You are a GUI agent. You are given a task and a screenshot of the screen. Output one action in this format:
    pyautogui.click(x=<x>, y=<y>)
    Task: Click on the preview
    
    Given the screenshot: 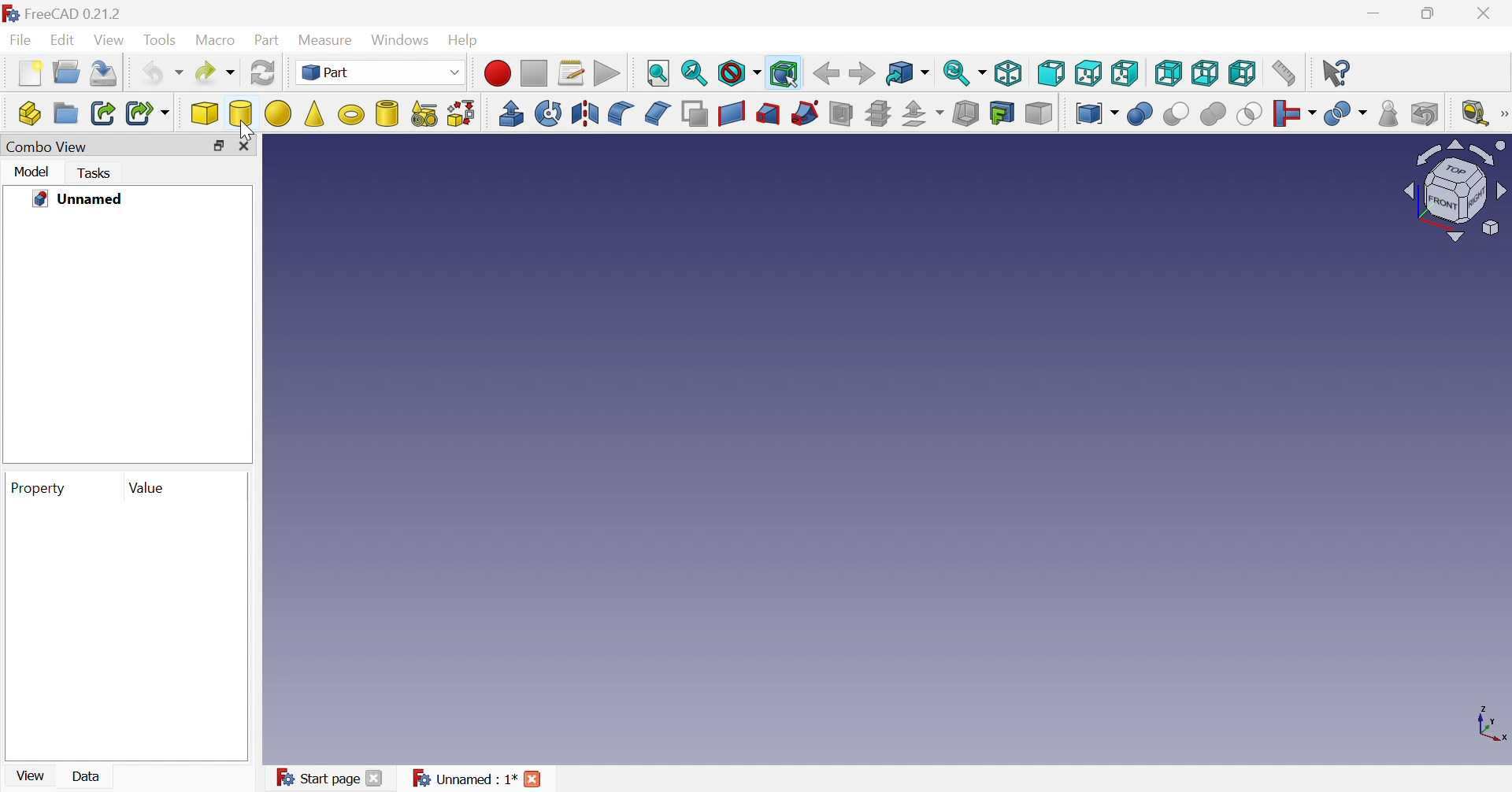 What is the action you would take?
    pyautogui.click(x=124, y=632)
    